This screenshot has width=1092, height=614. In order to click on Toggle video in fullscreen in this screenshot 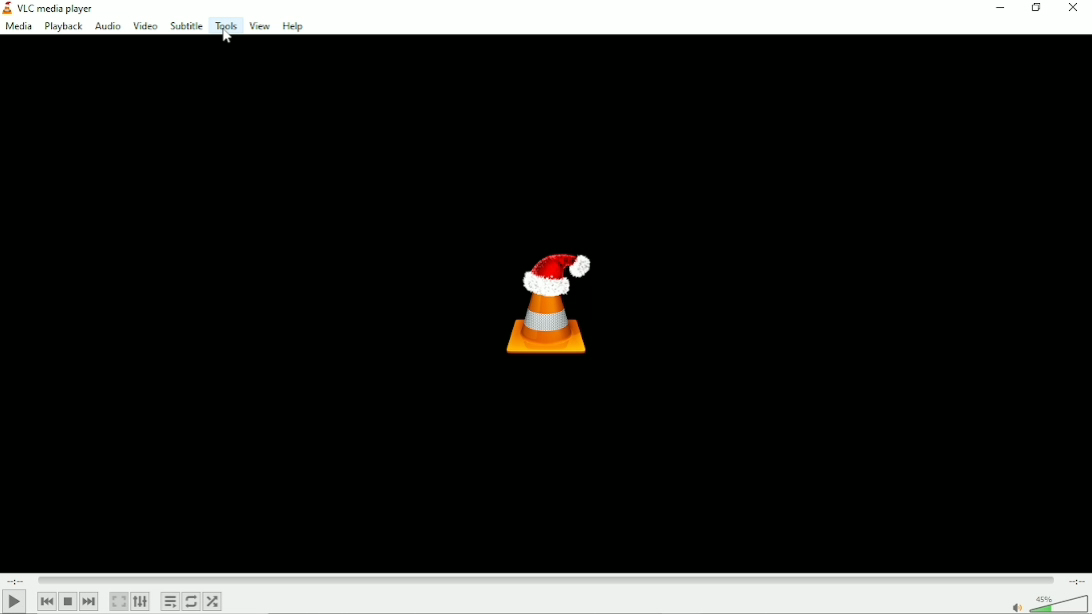, I will do `click(119, 601)`.